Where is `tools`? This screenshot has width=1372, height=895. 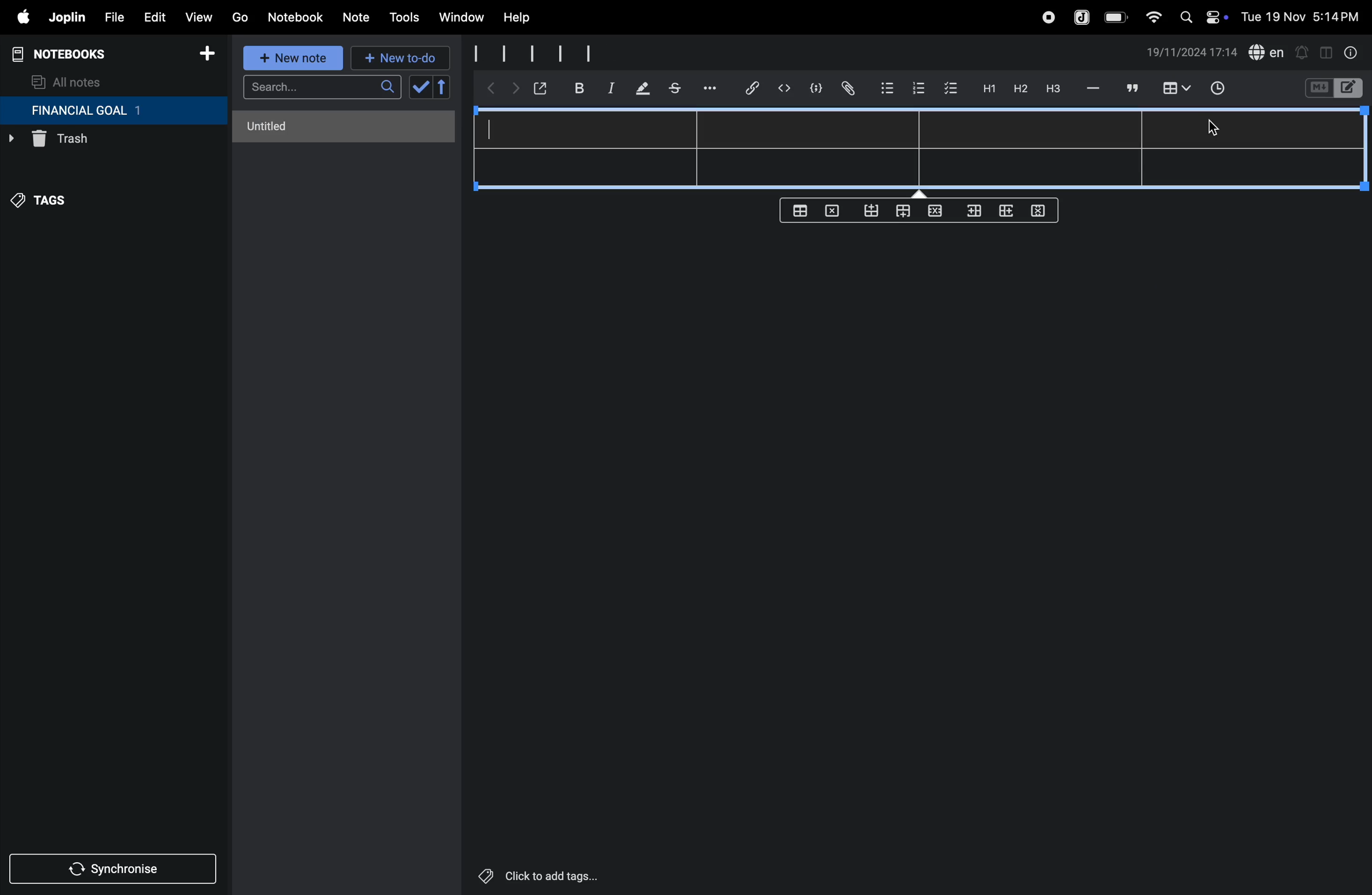
tools is located at coordinates (402, 17).